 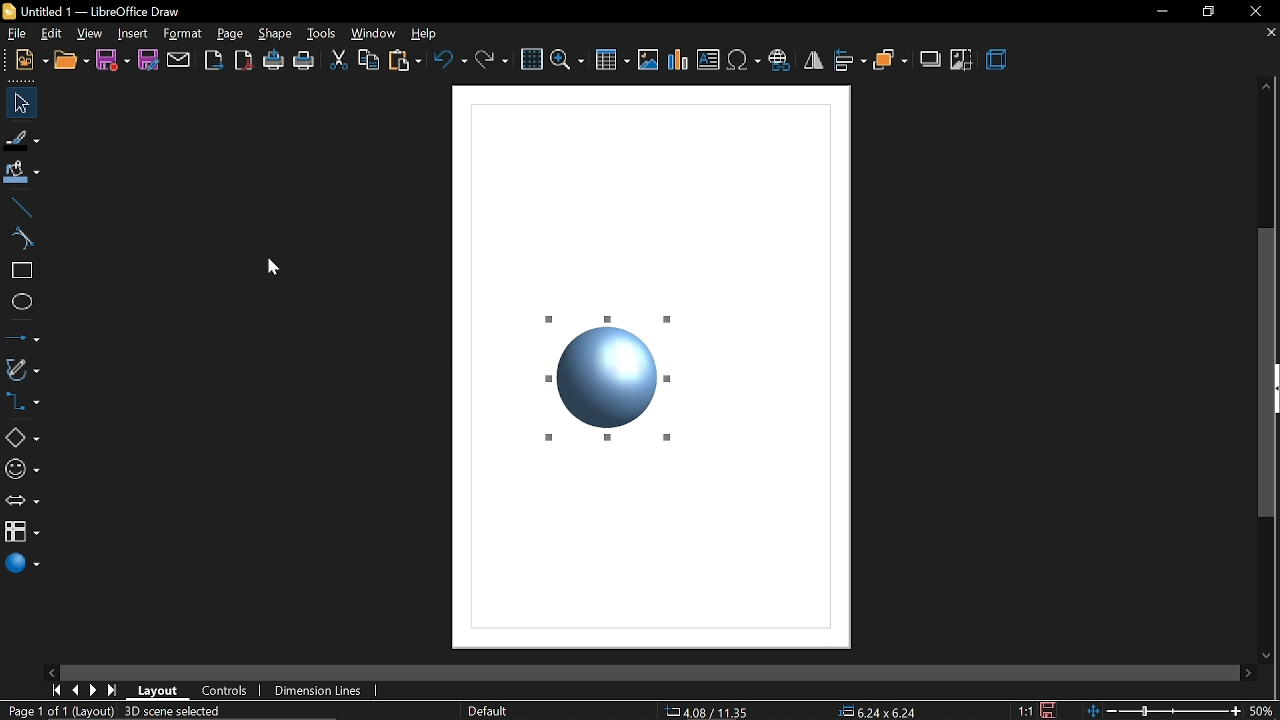 I want to click on move down, so click(x=1270, y=655).